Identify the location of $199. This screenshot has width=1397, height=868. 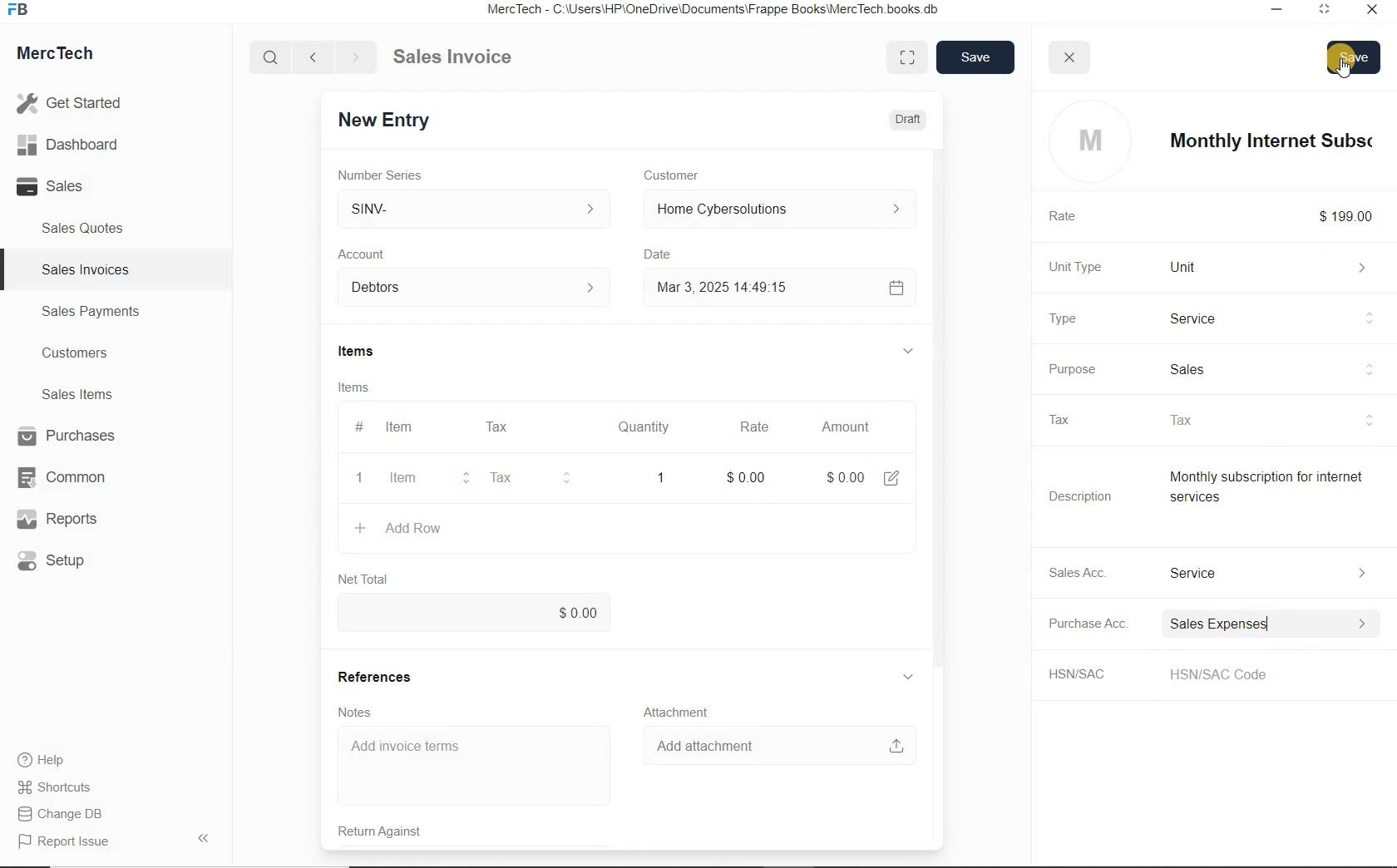
(1340, 216).